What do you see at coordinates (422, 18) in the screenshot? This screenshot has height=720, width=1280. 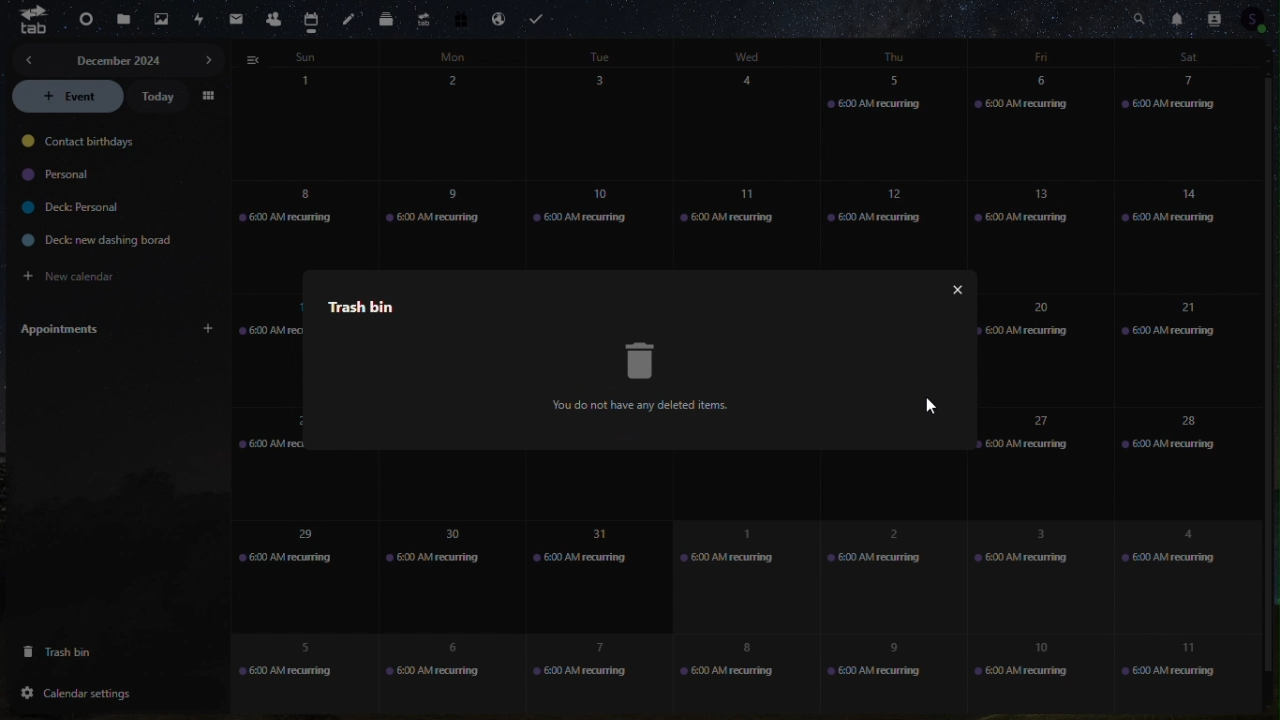 I see `upgrade` at bounding box center [422, 18].